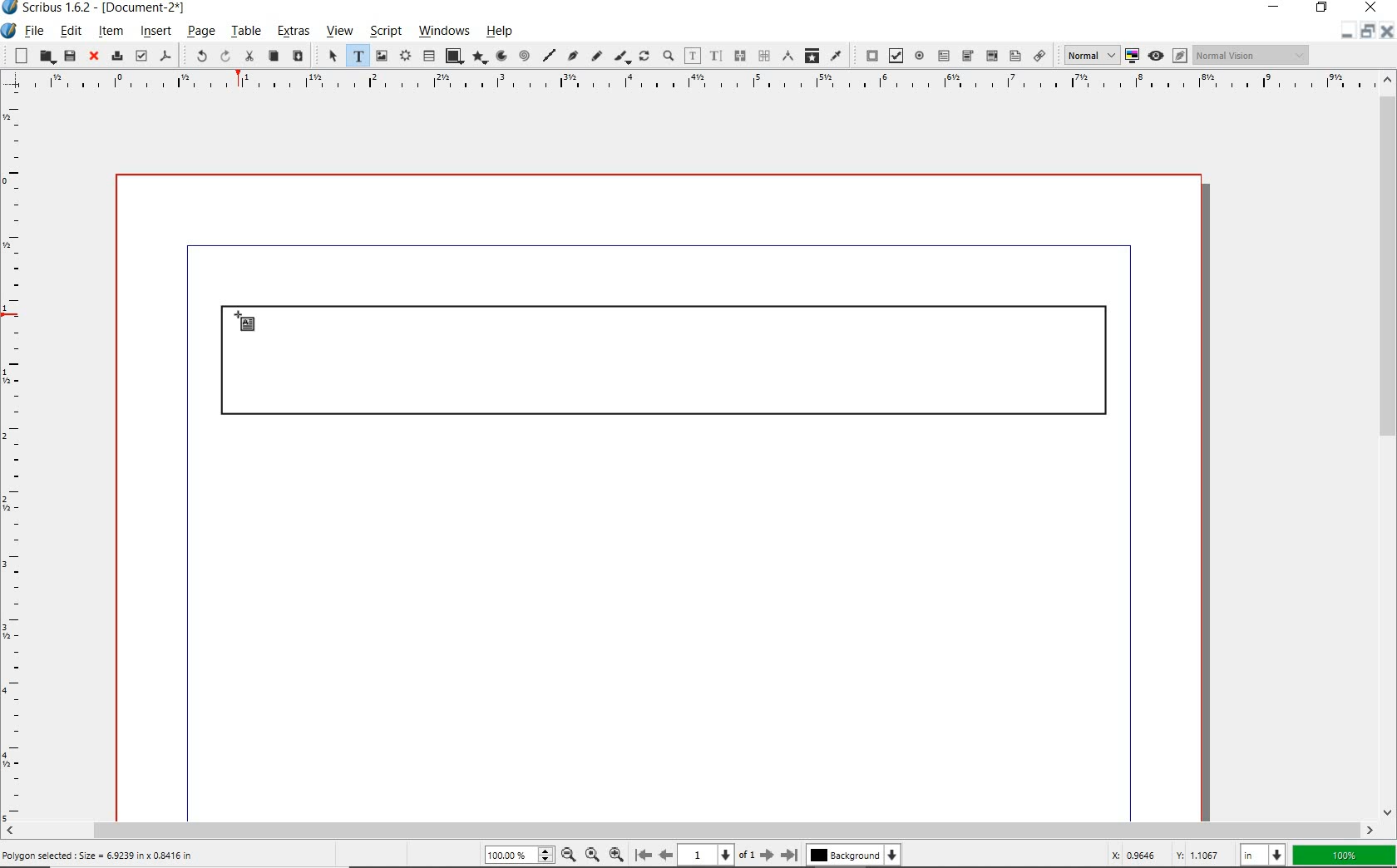 The width and height of the screenshot is (1397, 868). I want to click on calligraphic line, so click(623, 57).